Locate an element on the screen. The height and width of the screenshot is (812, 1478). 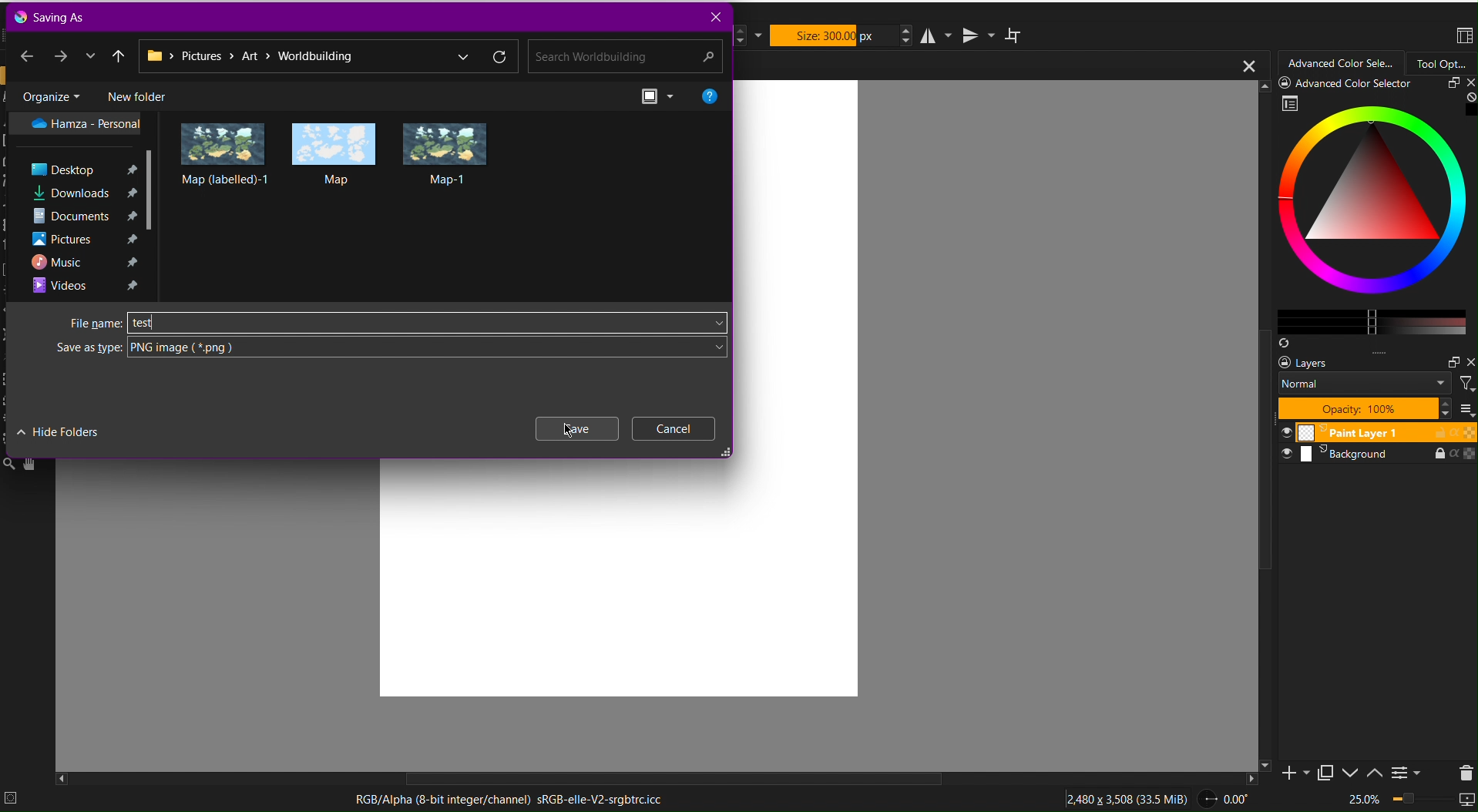
Current Document is located at coordinates (998, 65).